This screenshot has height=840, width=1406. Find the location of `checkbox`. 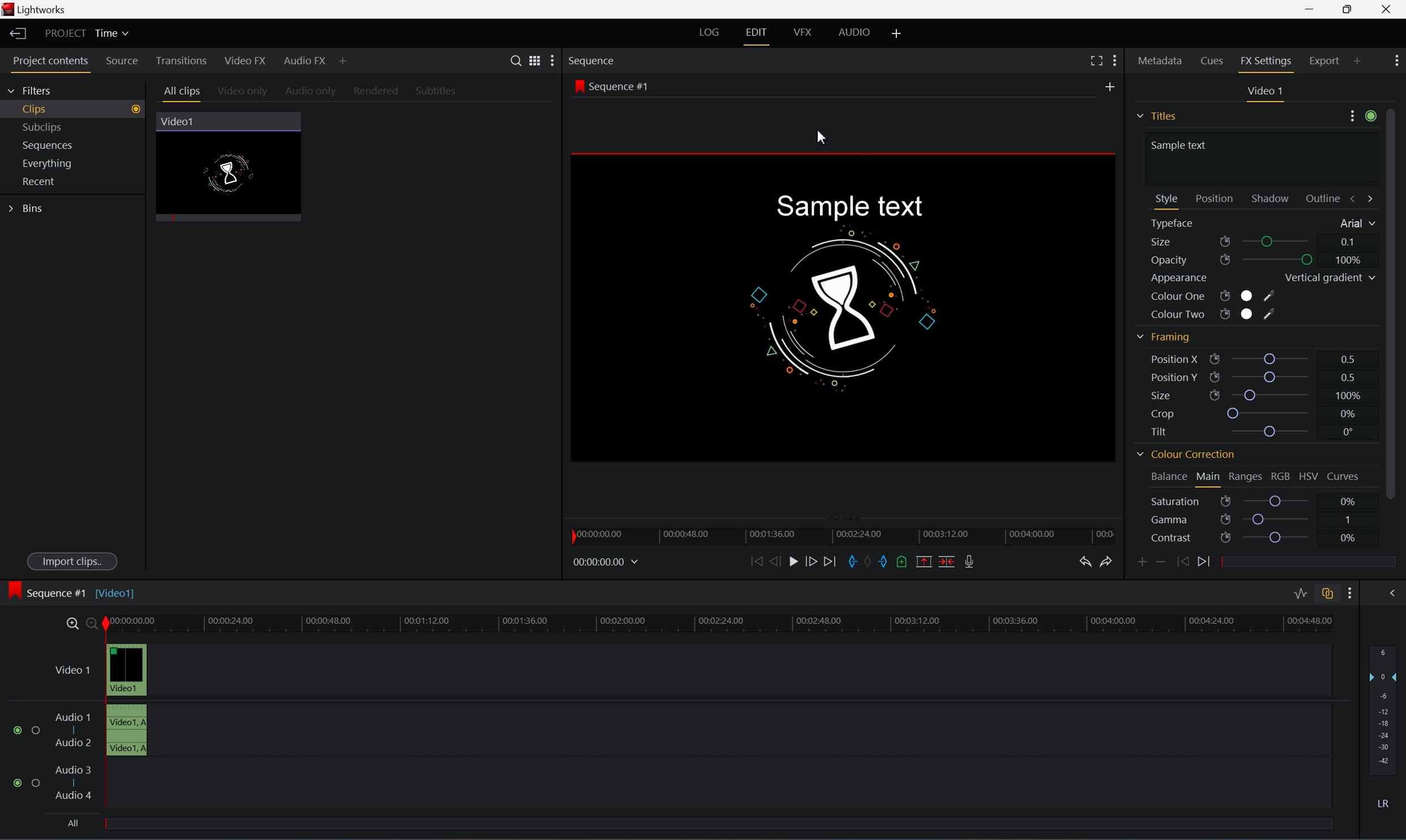

checkbox is located at coordinates (38, 731).